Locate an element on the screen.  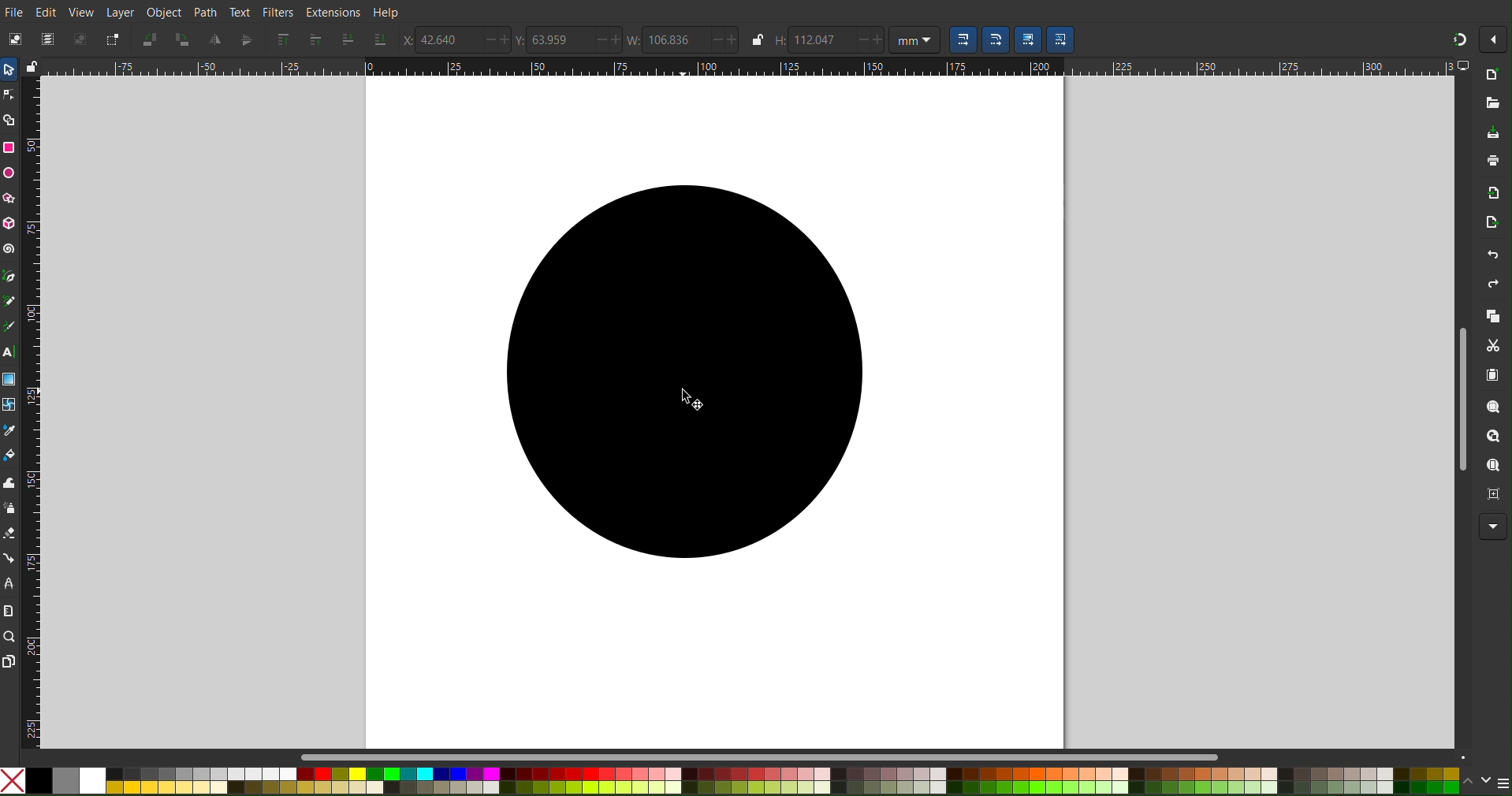
Send to Top is located at coordinates (284, 41).